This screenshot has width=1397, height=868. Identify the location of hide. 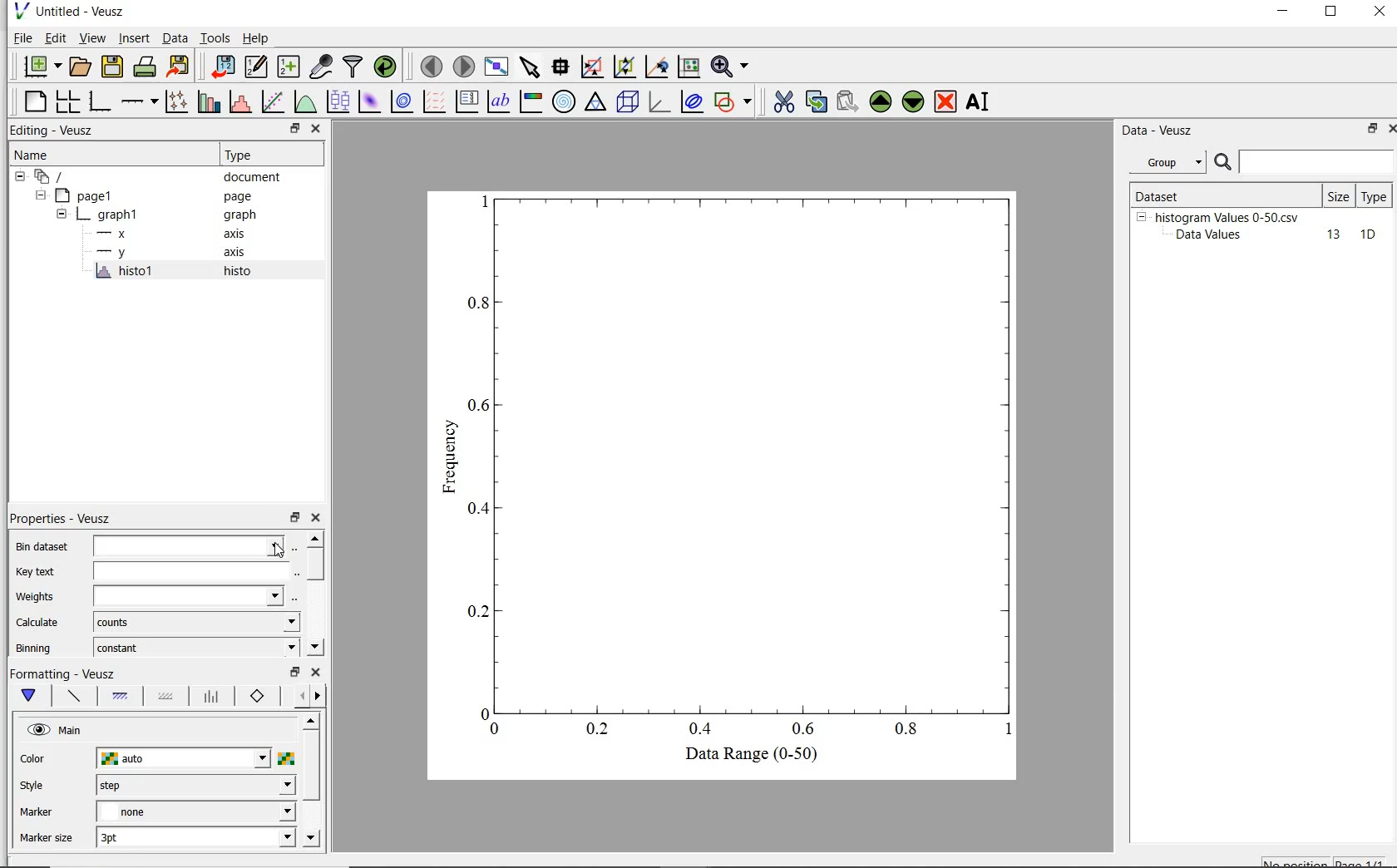
(62, 215).